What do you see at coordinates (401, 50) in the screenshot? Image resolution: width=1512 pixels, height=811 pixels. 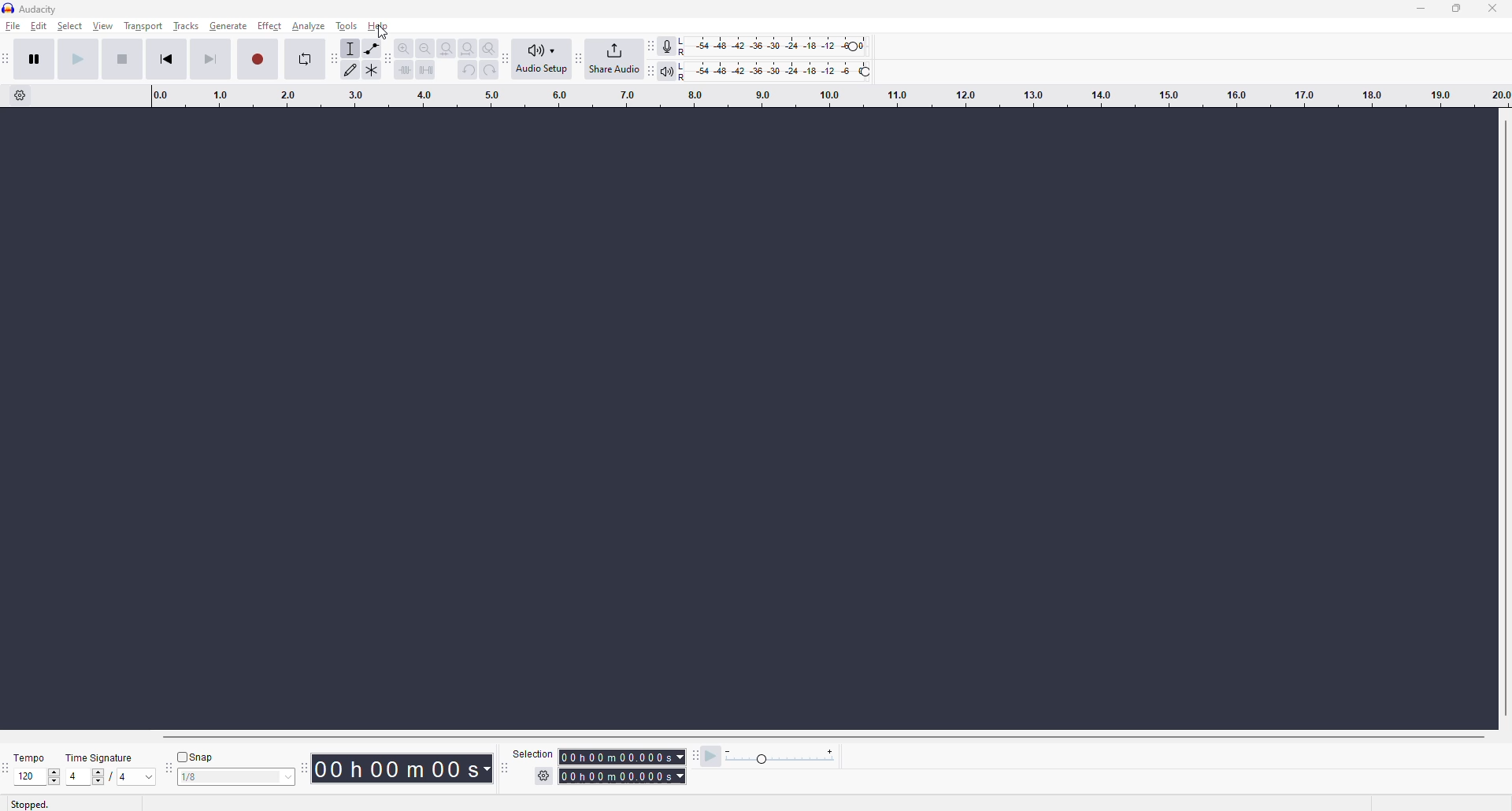 I see `zoom in` at bounding box center [401, 50].